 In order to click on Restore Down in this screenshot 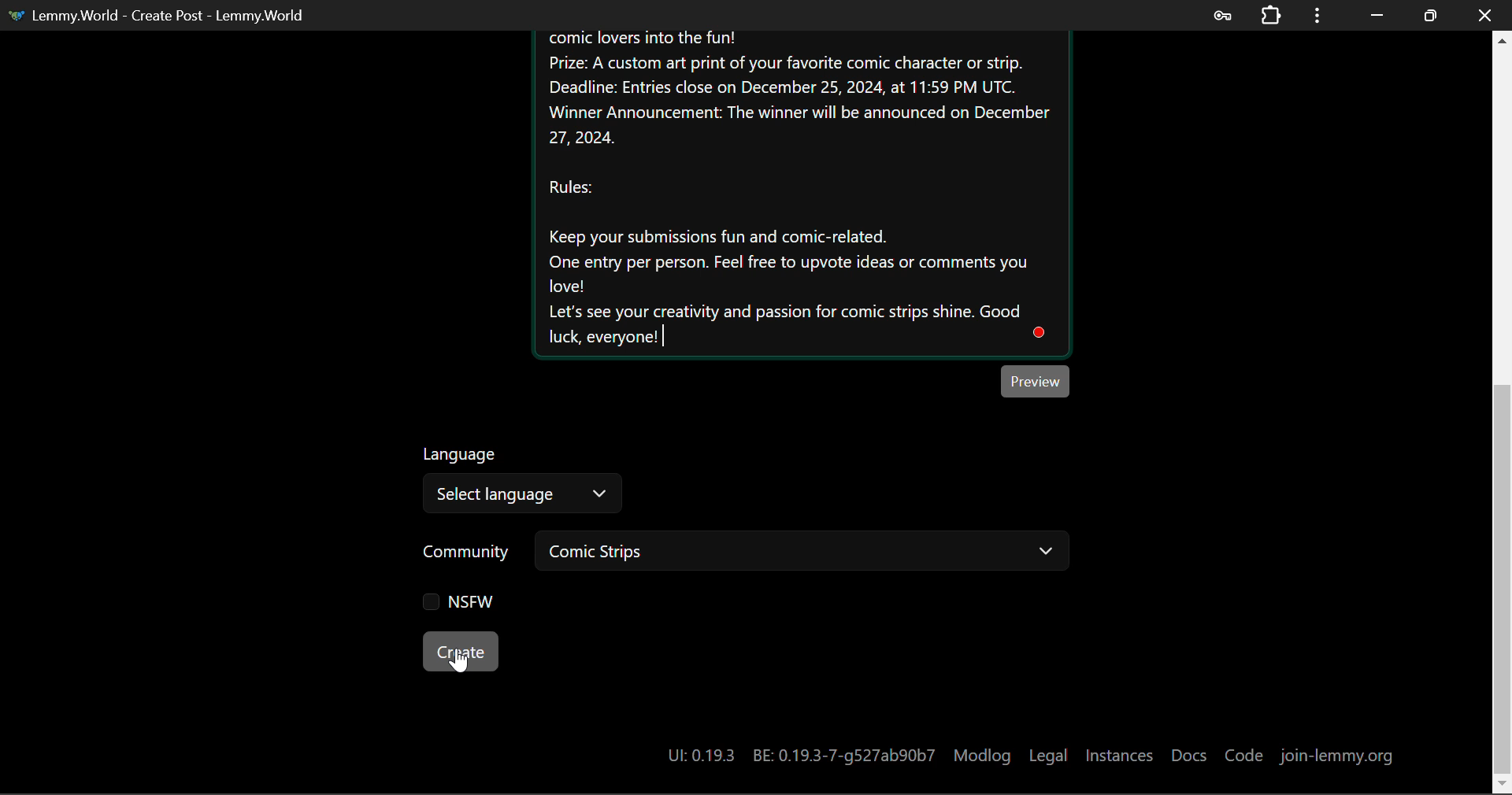, I will do `click(1377, 14)`.